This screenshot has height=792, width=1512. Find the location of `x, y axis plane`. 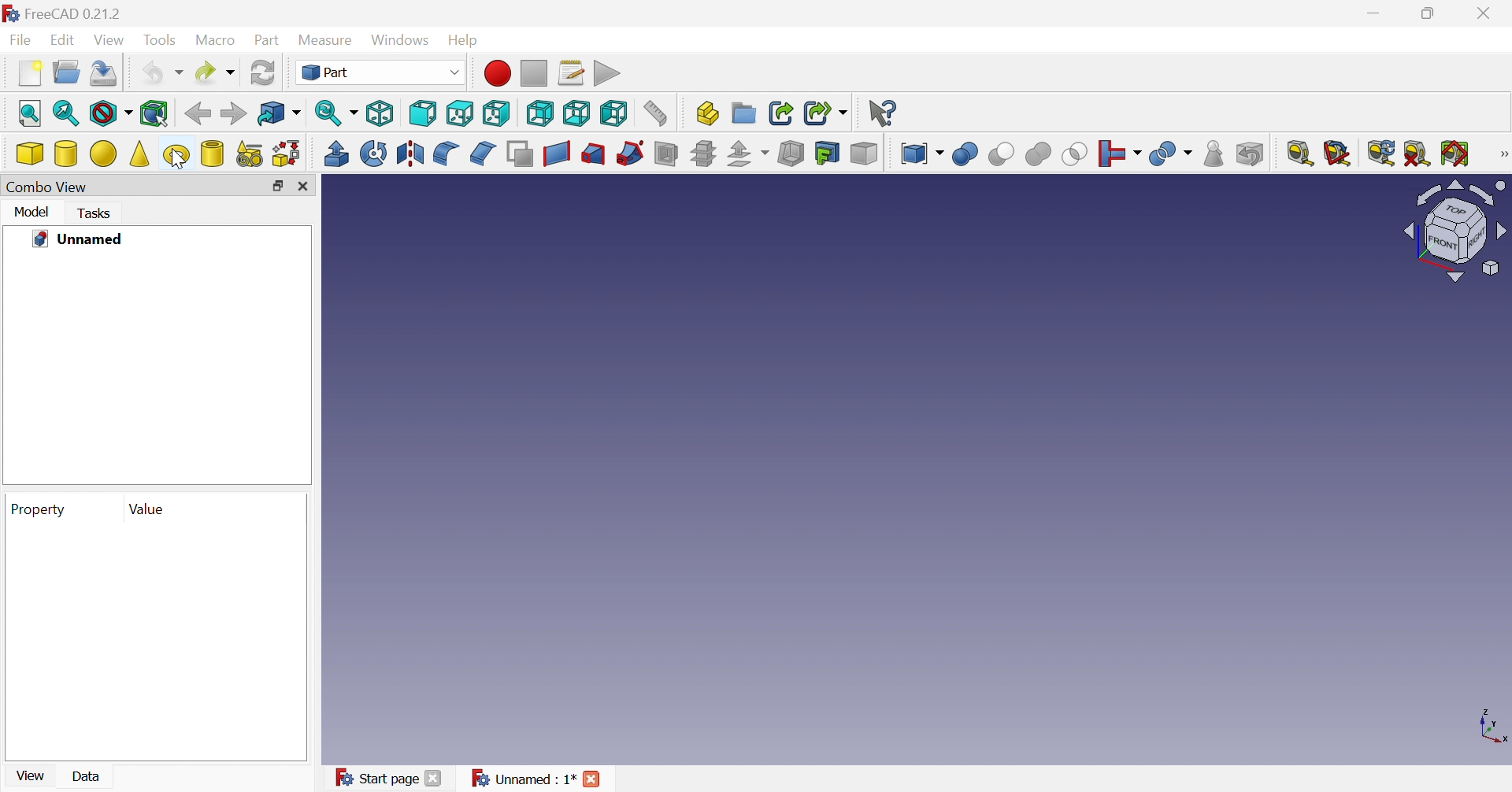

x, y axis plane is located at coordinates (1492, 724).